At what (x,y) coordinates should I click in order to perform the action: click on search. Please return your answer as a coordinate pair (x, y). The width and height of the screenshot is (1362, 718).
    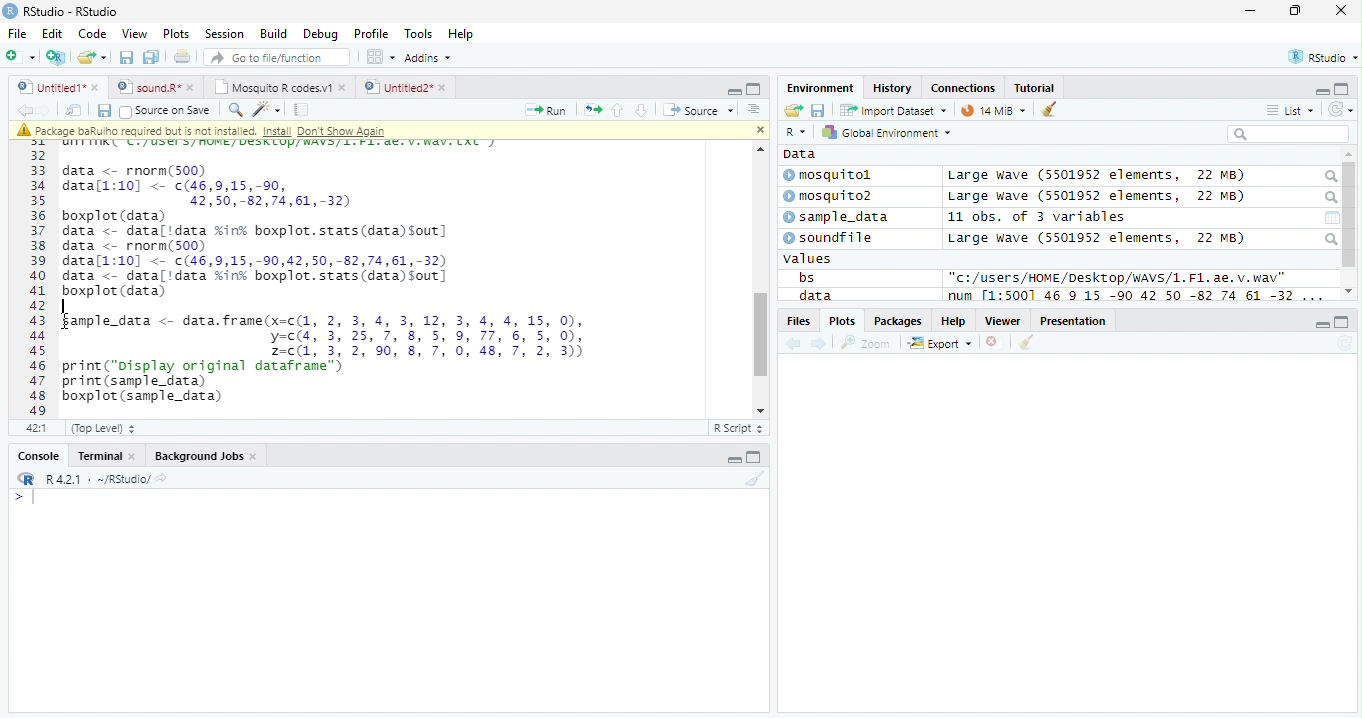
    Looking at the image, I should click on (1330, 239).